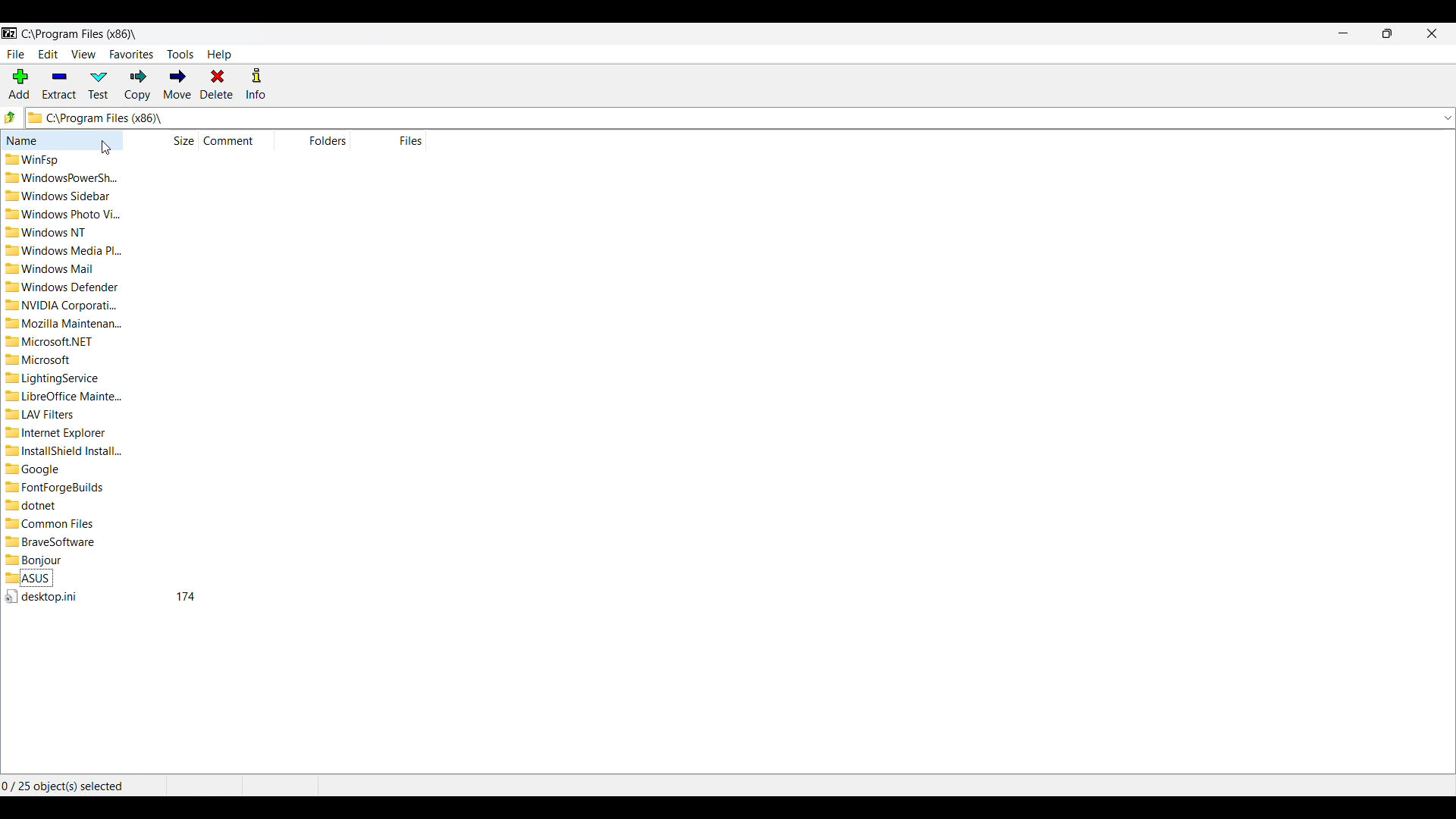  Describe the element at coordinates (740, 118) in the screenshot. I see `Logo and location of current folder` at that location.